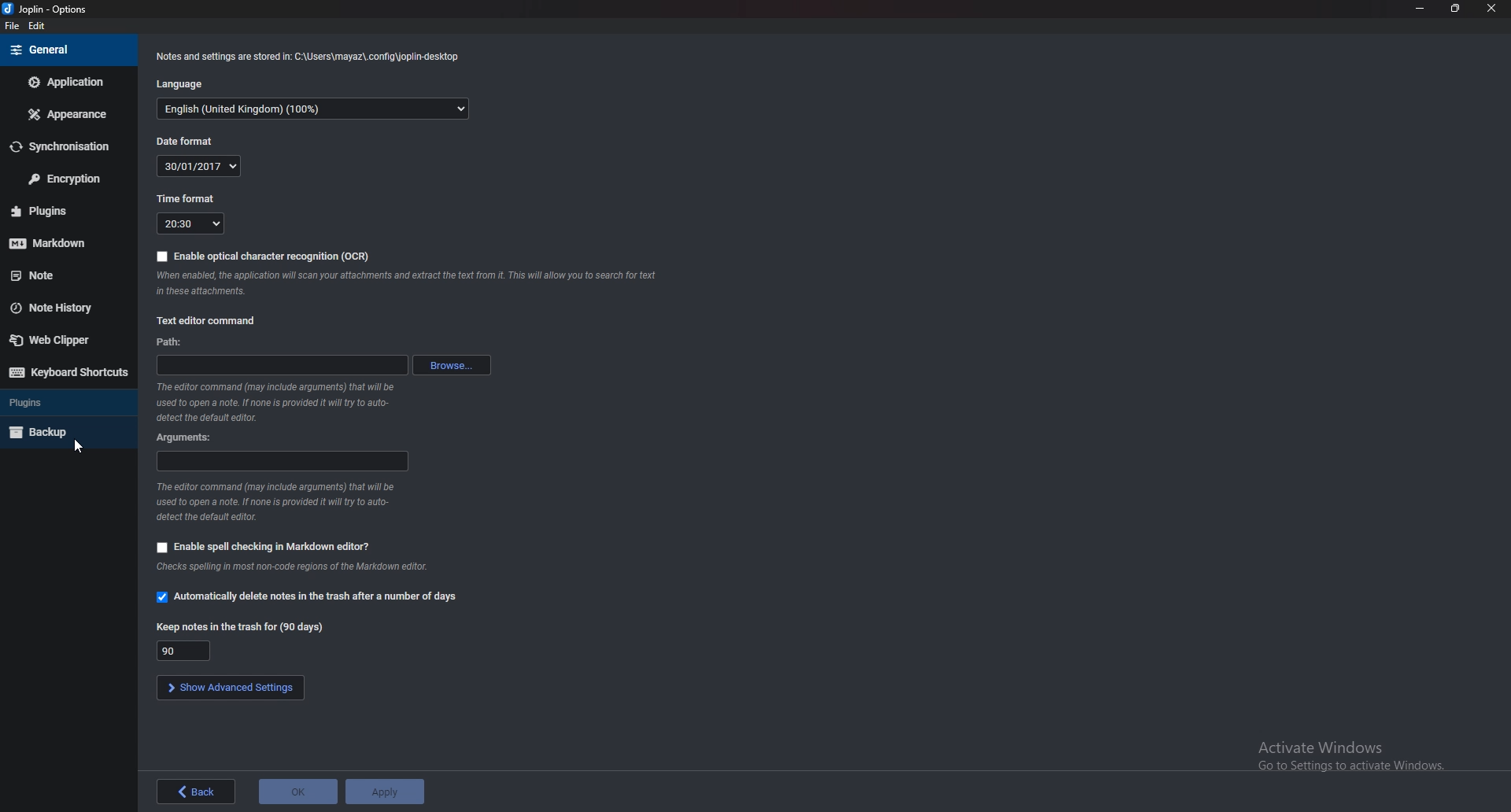 Image resolution: width=1511 pixels, height=812 pixels. What do you see at coordinates (231, 686) in the screenshot?
I see `Show advanced settings` at bounding box center [231, 686].